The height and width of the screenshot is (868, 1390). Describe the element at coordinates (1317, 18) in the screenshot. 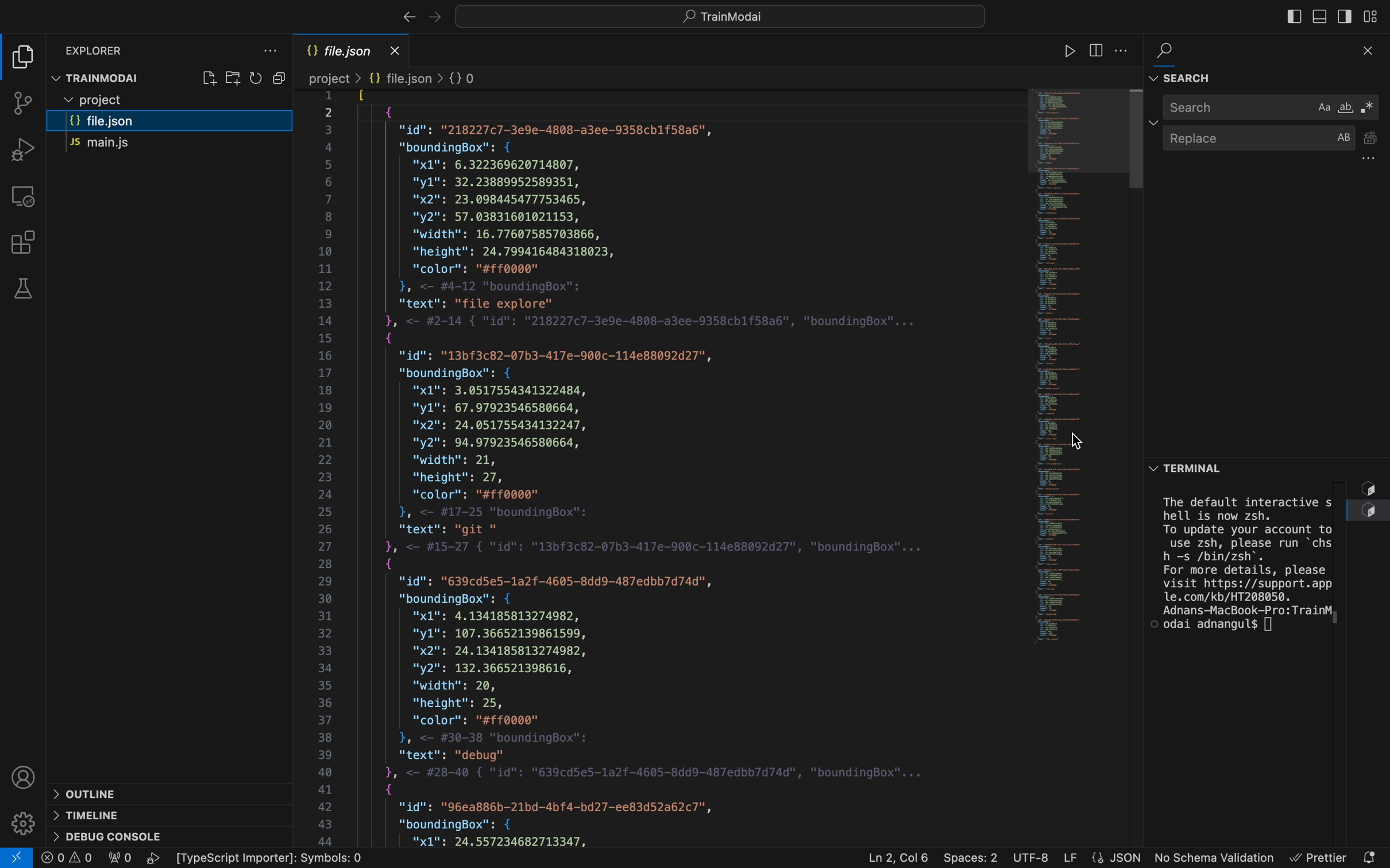

I see `toggle bar` at that location.